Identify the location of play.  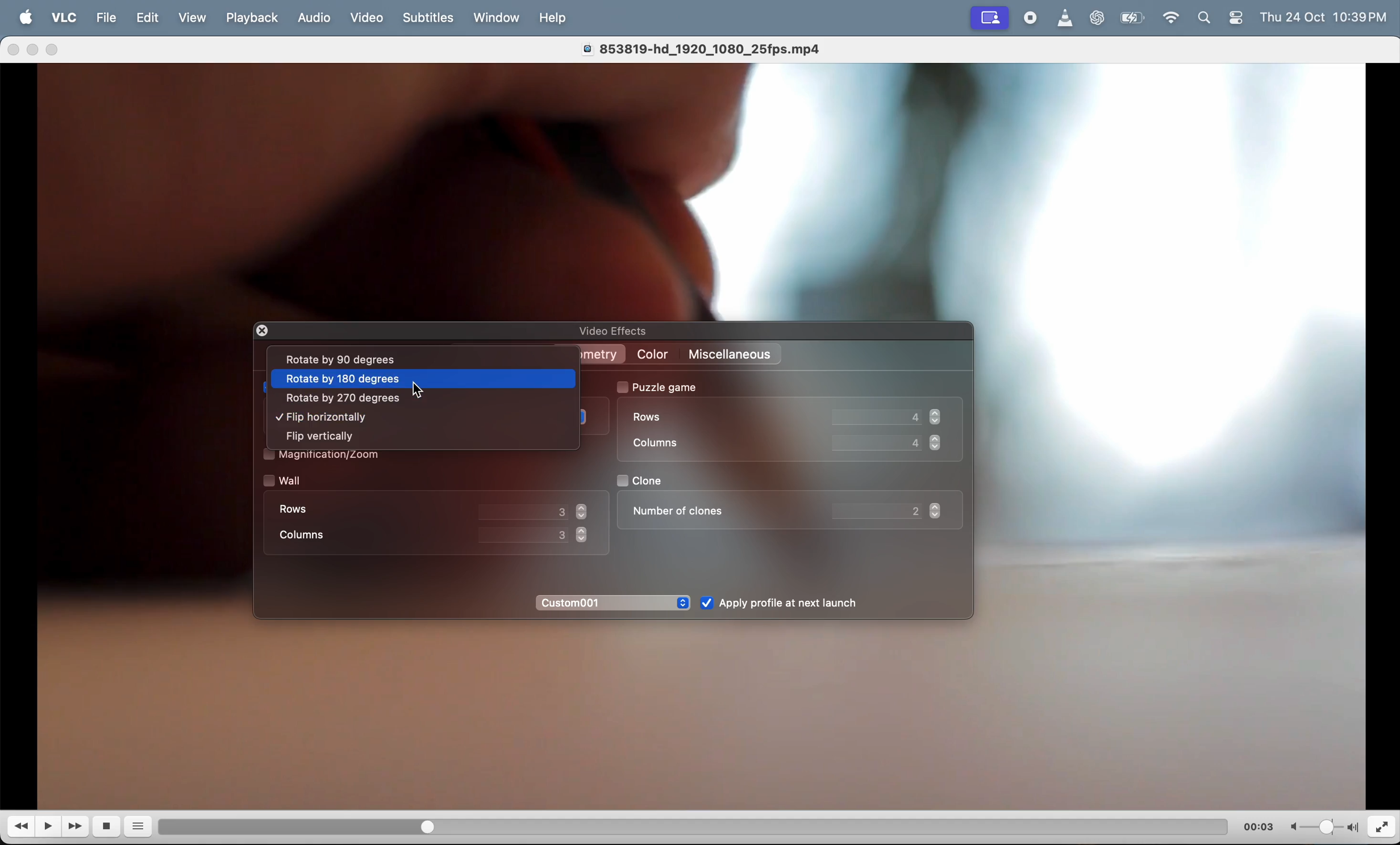
(50, 826).